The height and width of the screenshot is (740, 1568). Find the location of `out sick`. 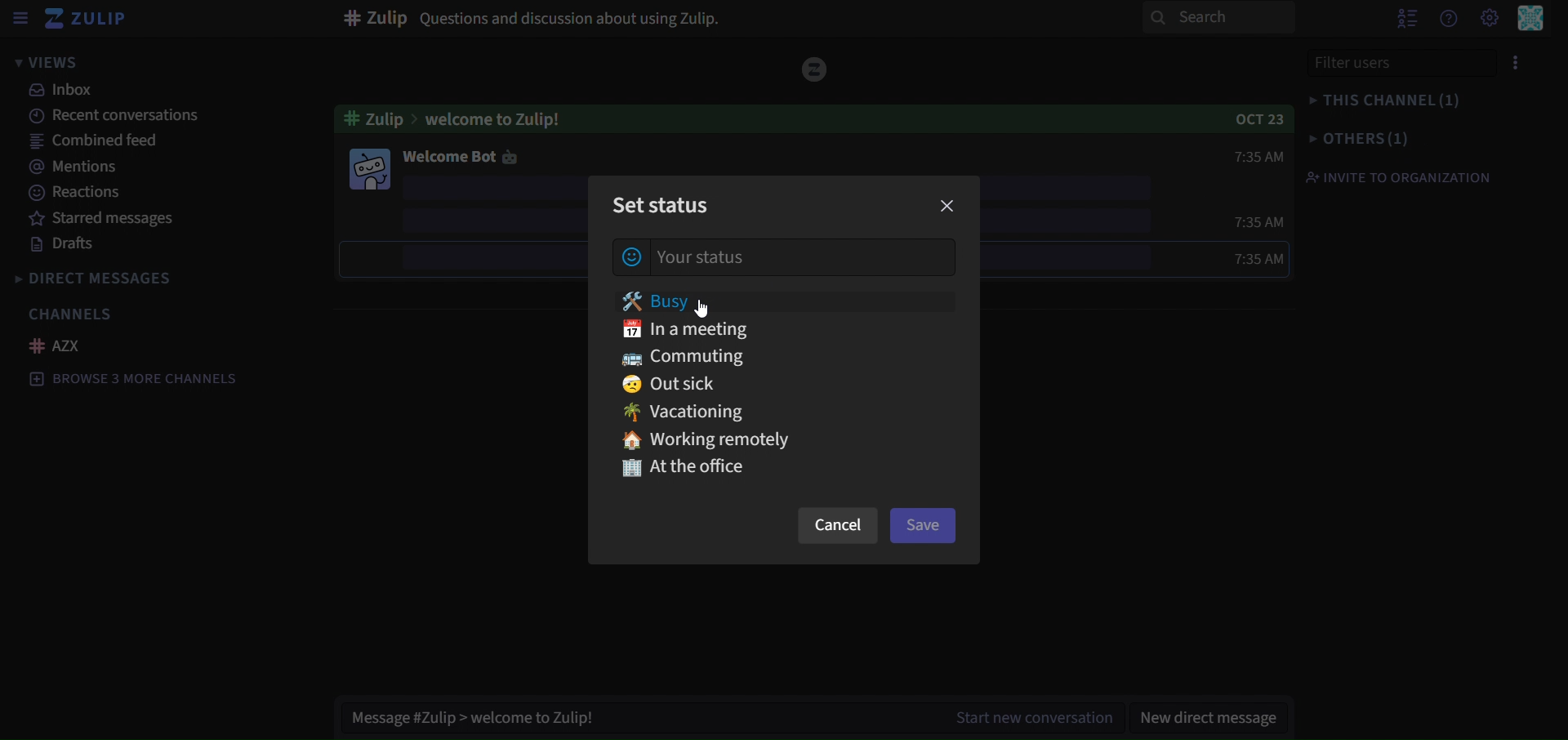

out sick is located at coordinates (670, 384).